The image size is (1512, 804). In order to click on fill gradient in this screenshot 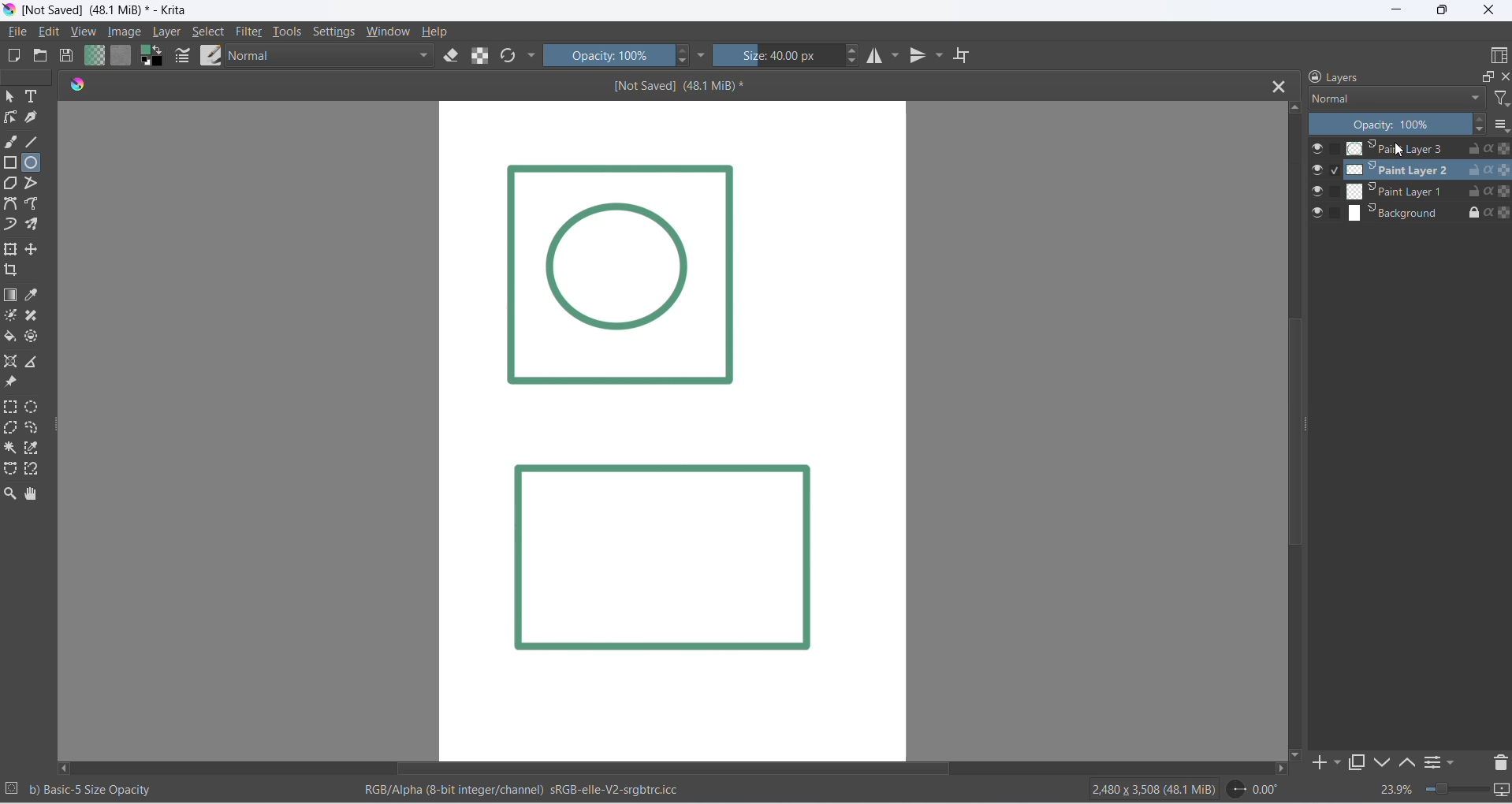, I will do `click(95, 57)`.